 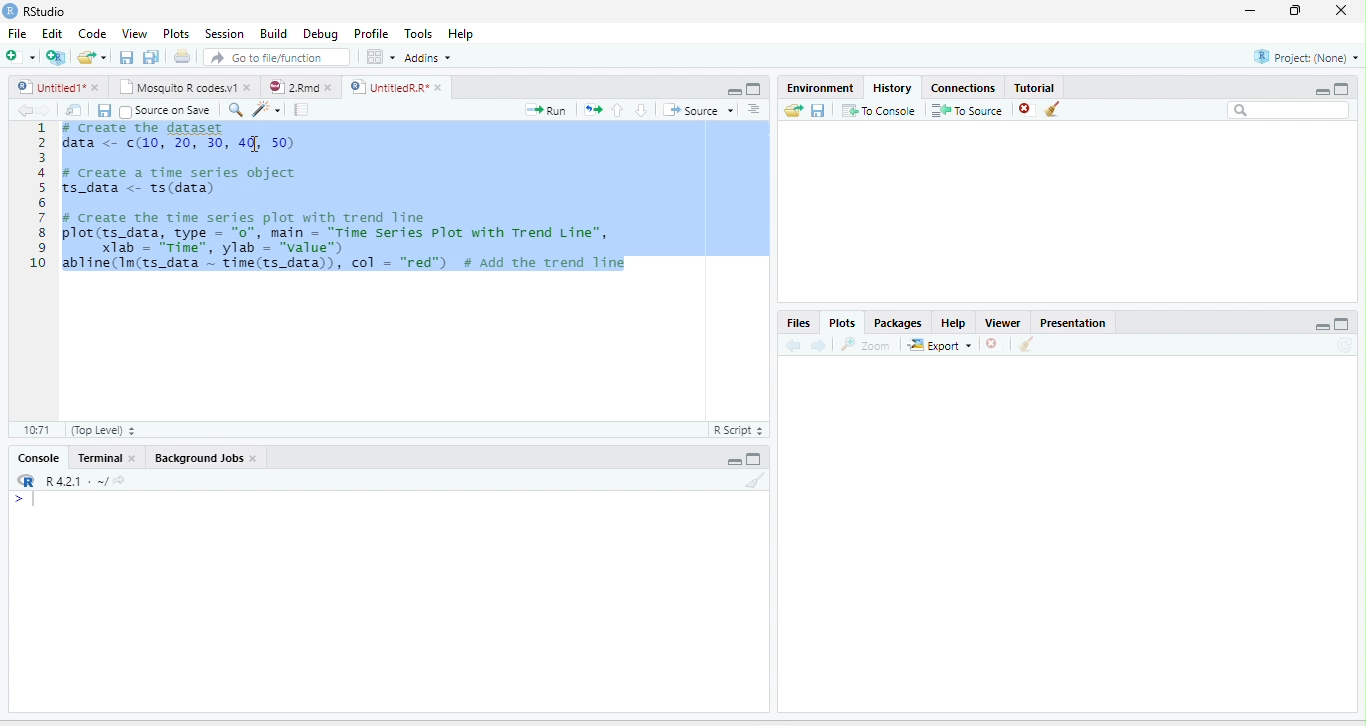 I want to click on Environment, so click(x=822, y=87).